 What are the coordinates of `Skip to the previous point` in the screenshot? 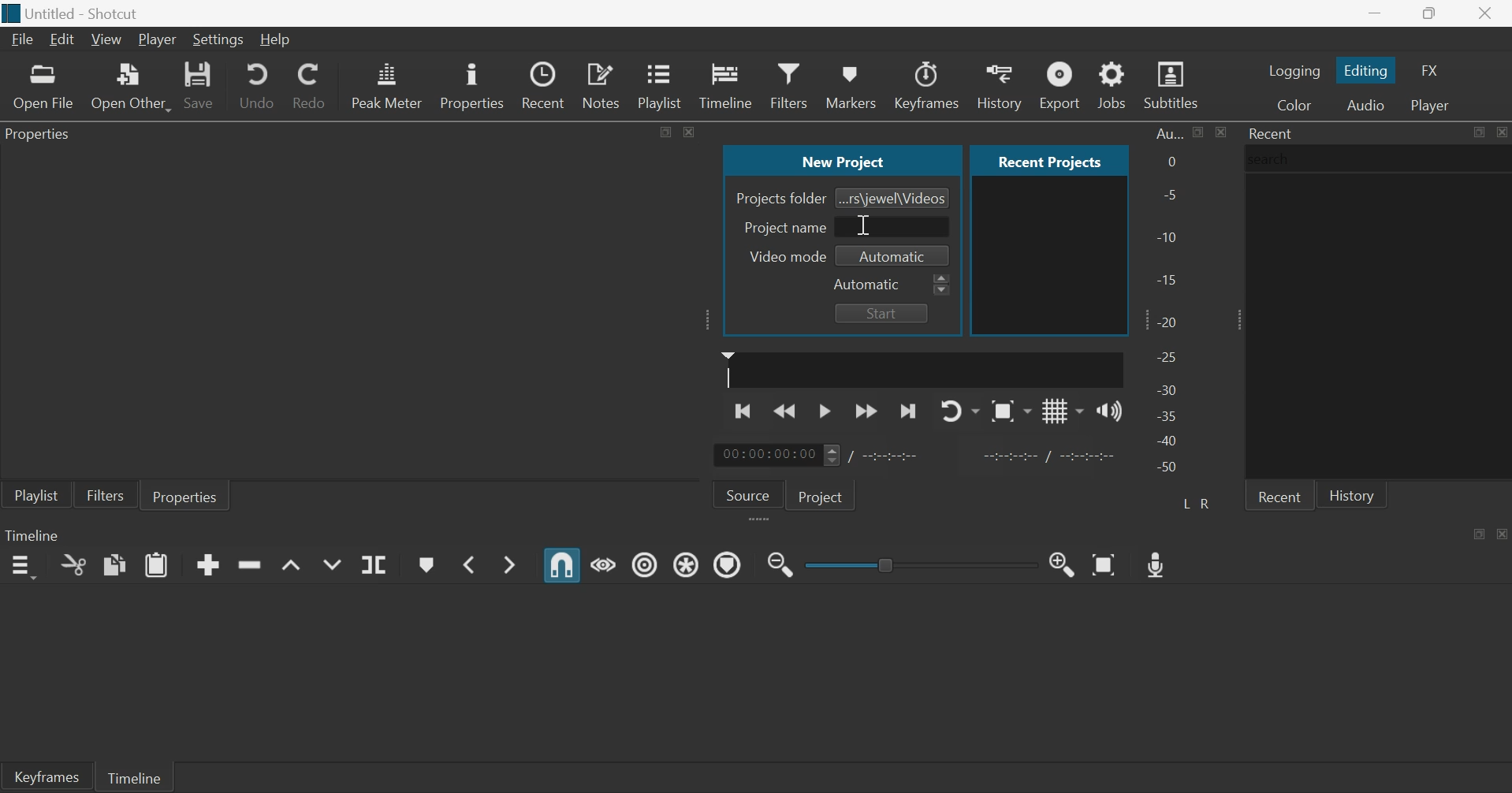 It's located at (745, 409).